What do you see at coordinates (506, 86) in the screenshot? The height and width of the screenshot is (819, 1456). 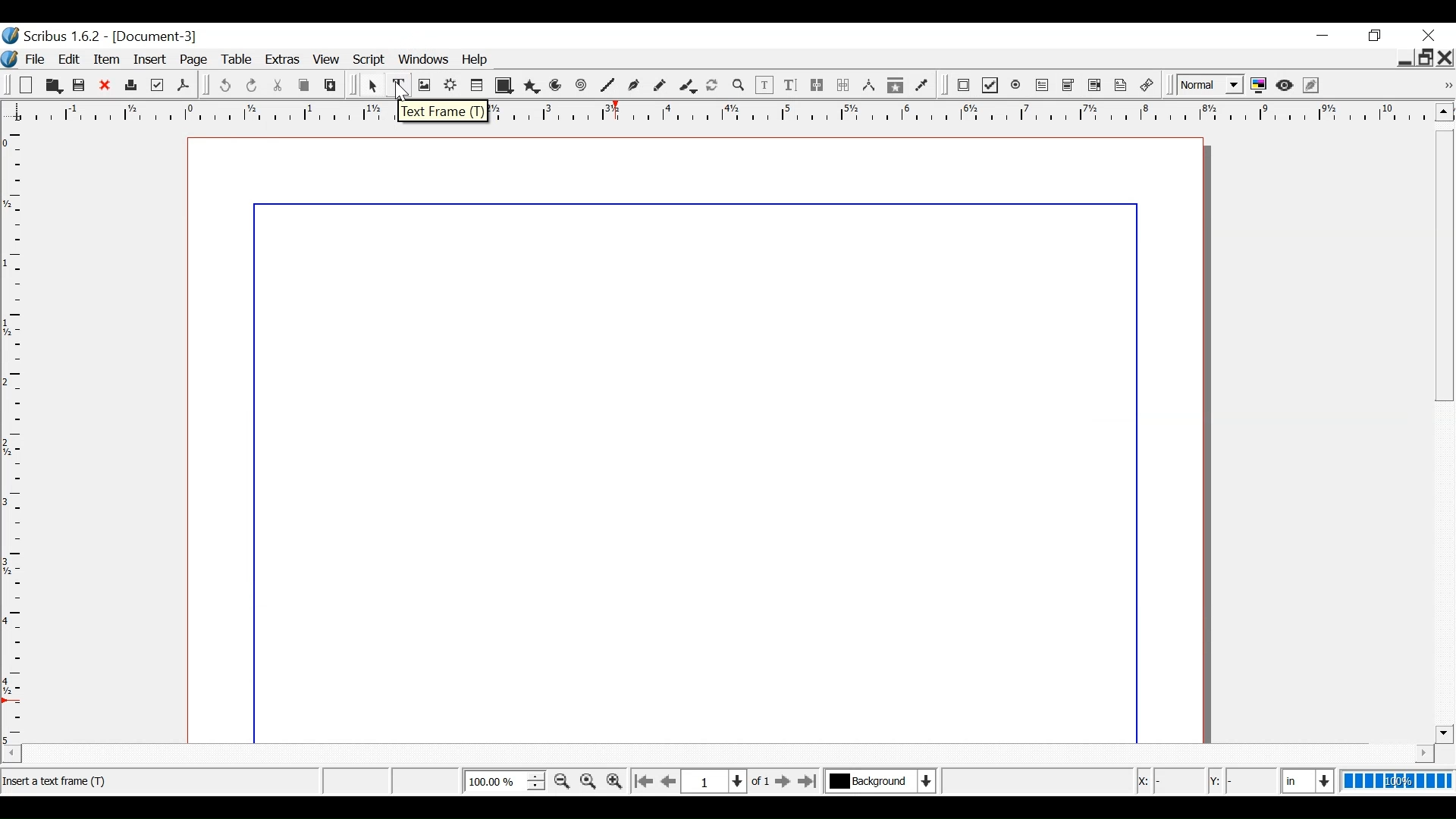 I see `Shape ` at bounding box center [506, 86].